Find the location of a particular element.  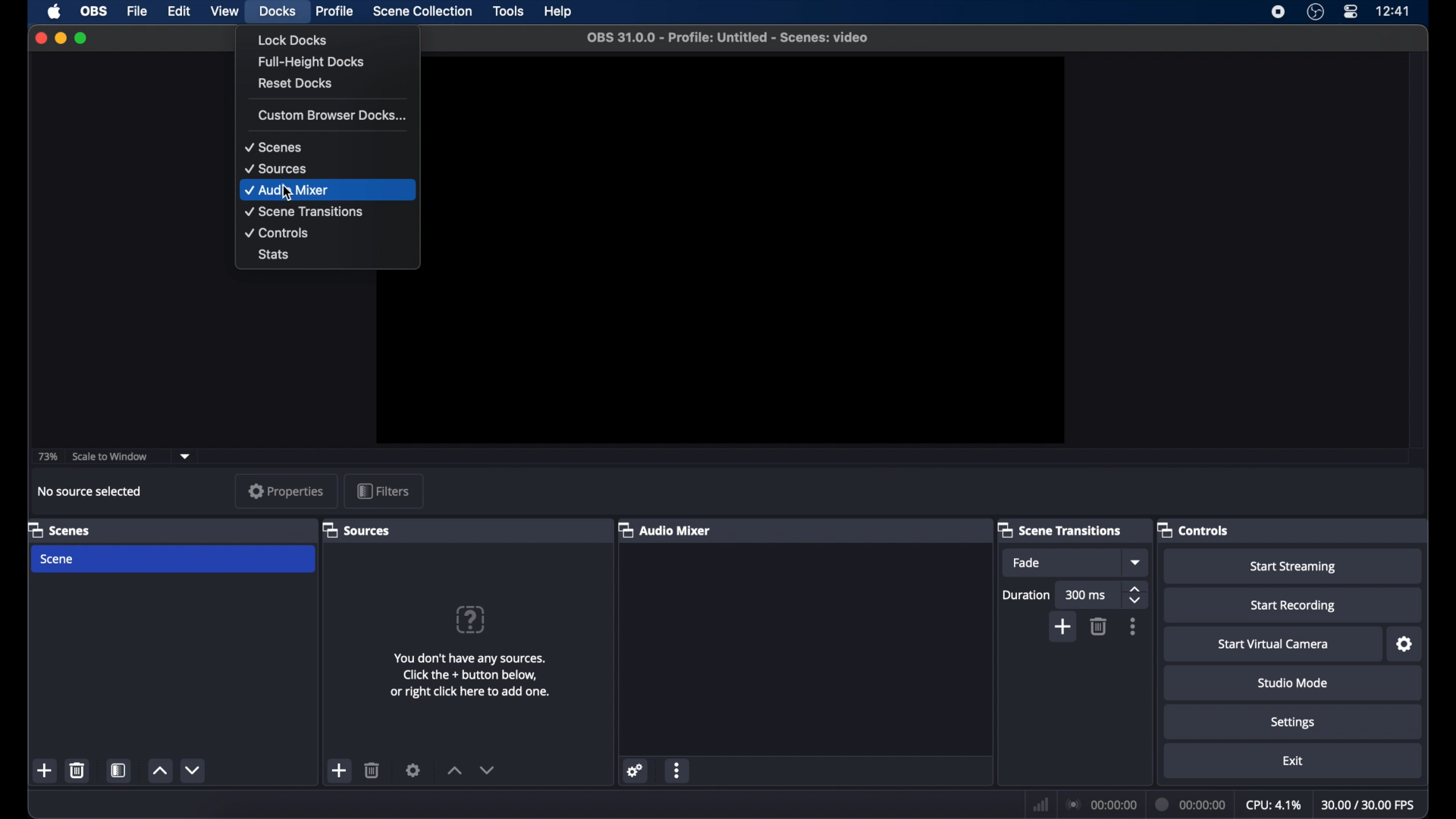

300 ms is located at coordinates (1087, 595).